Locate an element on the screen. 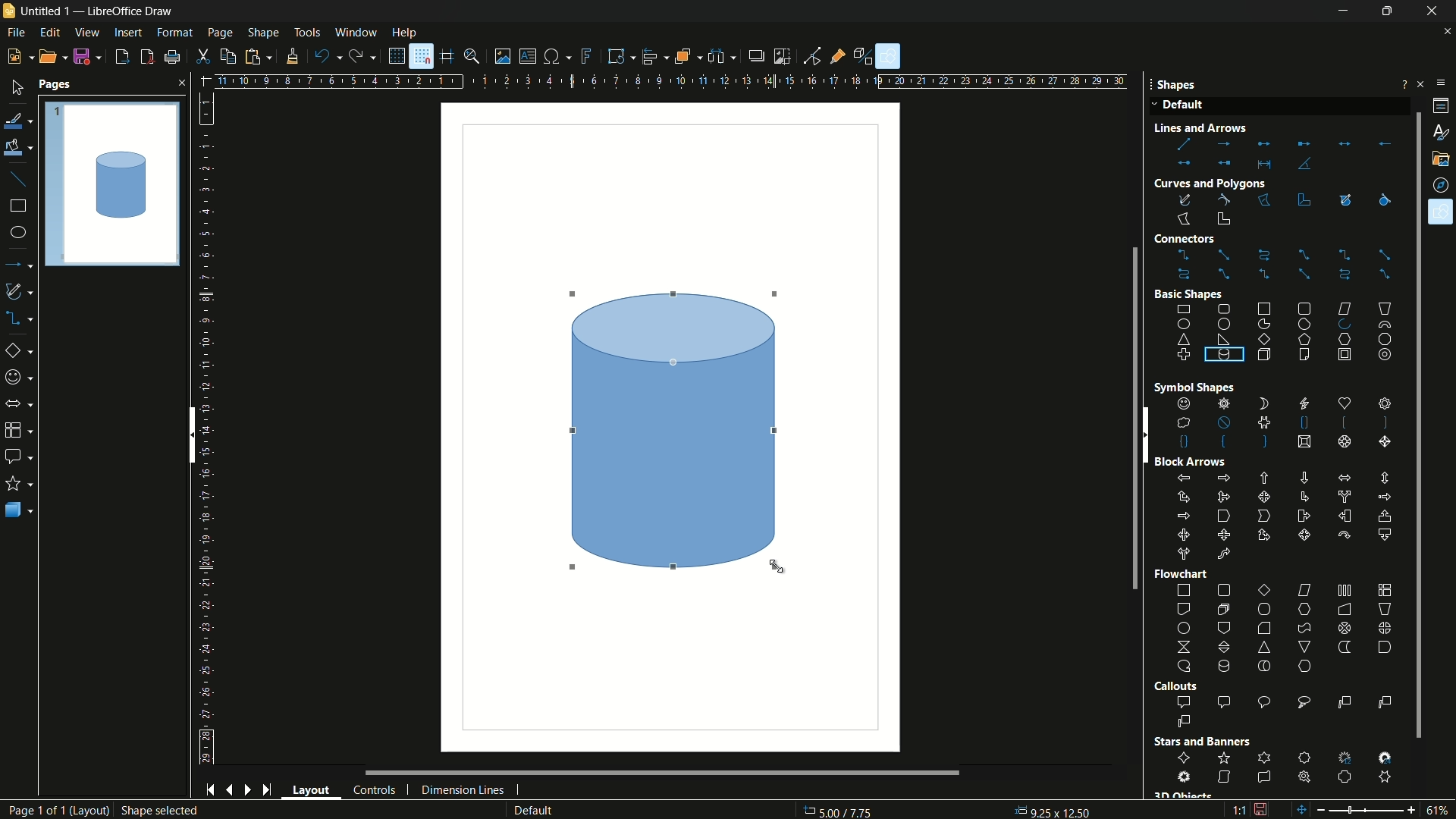 This screenshot has width=1456, height=819. Callouts is located at coordinates (1175, 686).